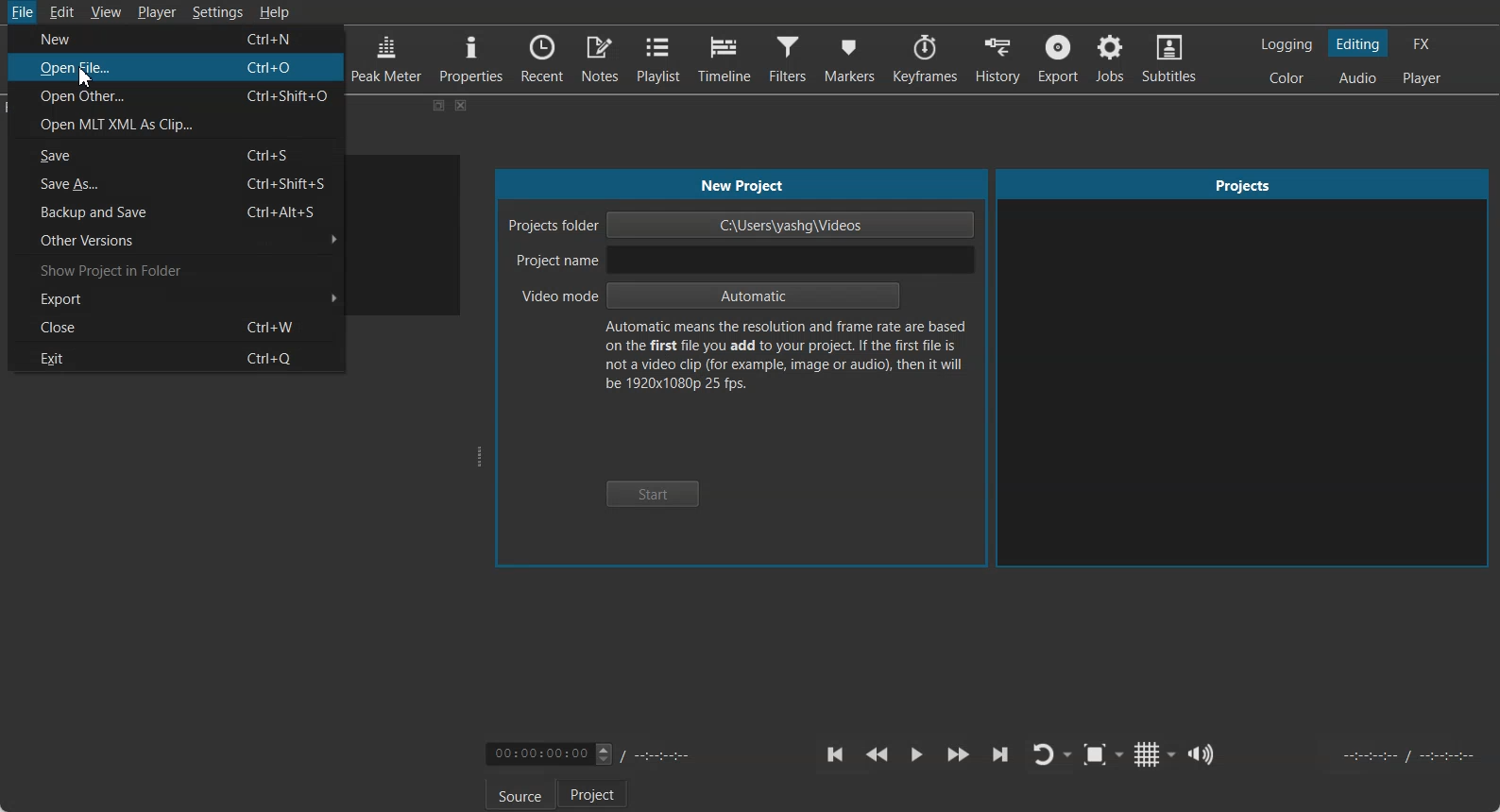 This screenshot has height=812, width=1500. I want to click on Toggle play, so click(917, 754).